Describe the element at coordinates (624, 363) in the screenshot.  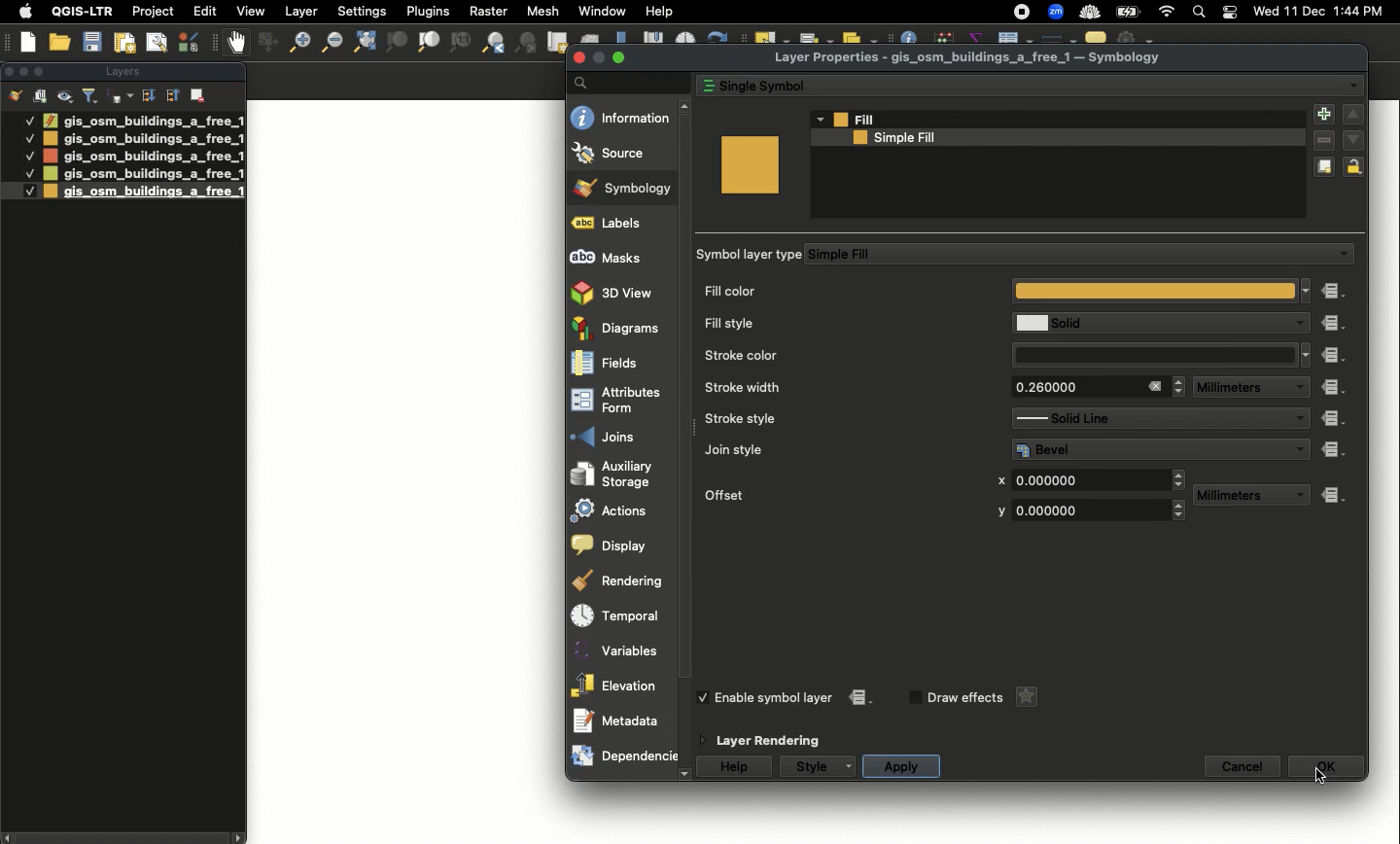
I see `Fields` at that location.